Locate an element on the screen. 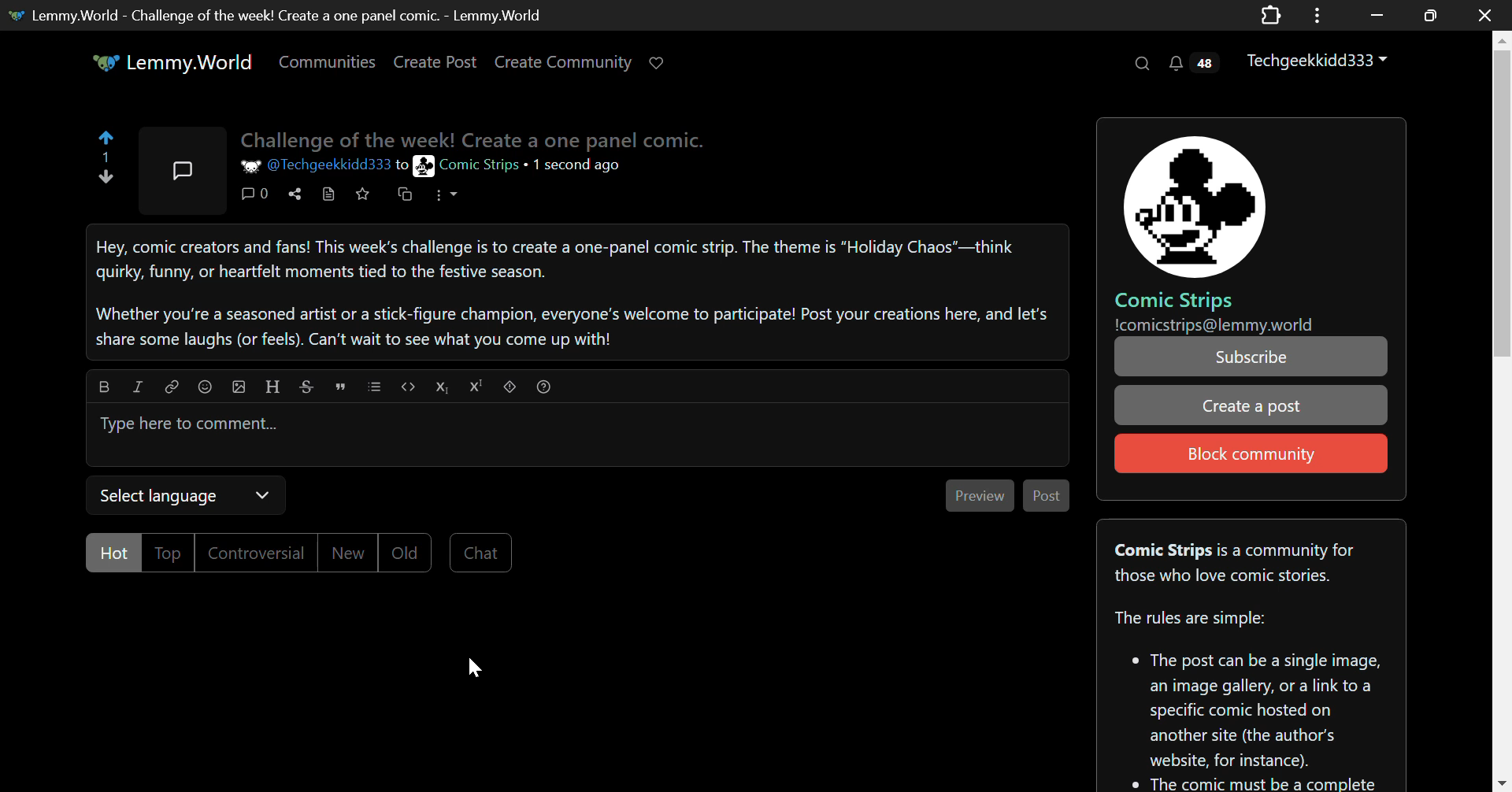 The height and width of the screenshot is (792, 1512). Comment Counter is located at coordinates (254, 194).